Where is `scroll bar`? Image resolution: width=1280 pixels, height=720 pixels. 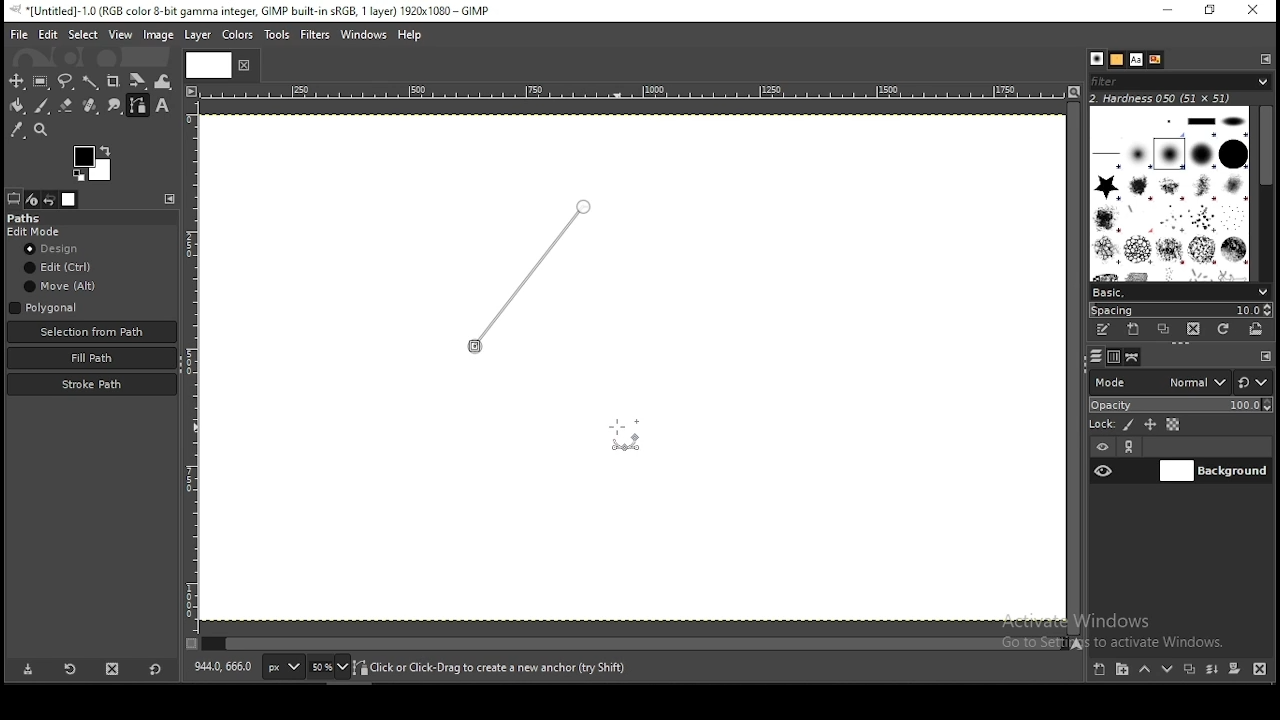
scroll bar is located at coordinates (1263, 194).